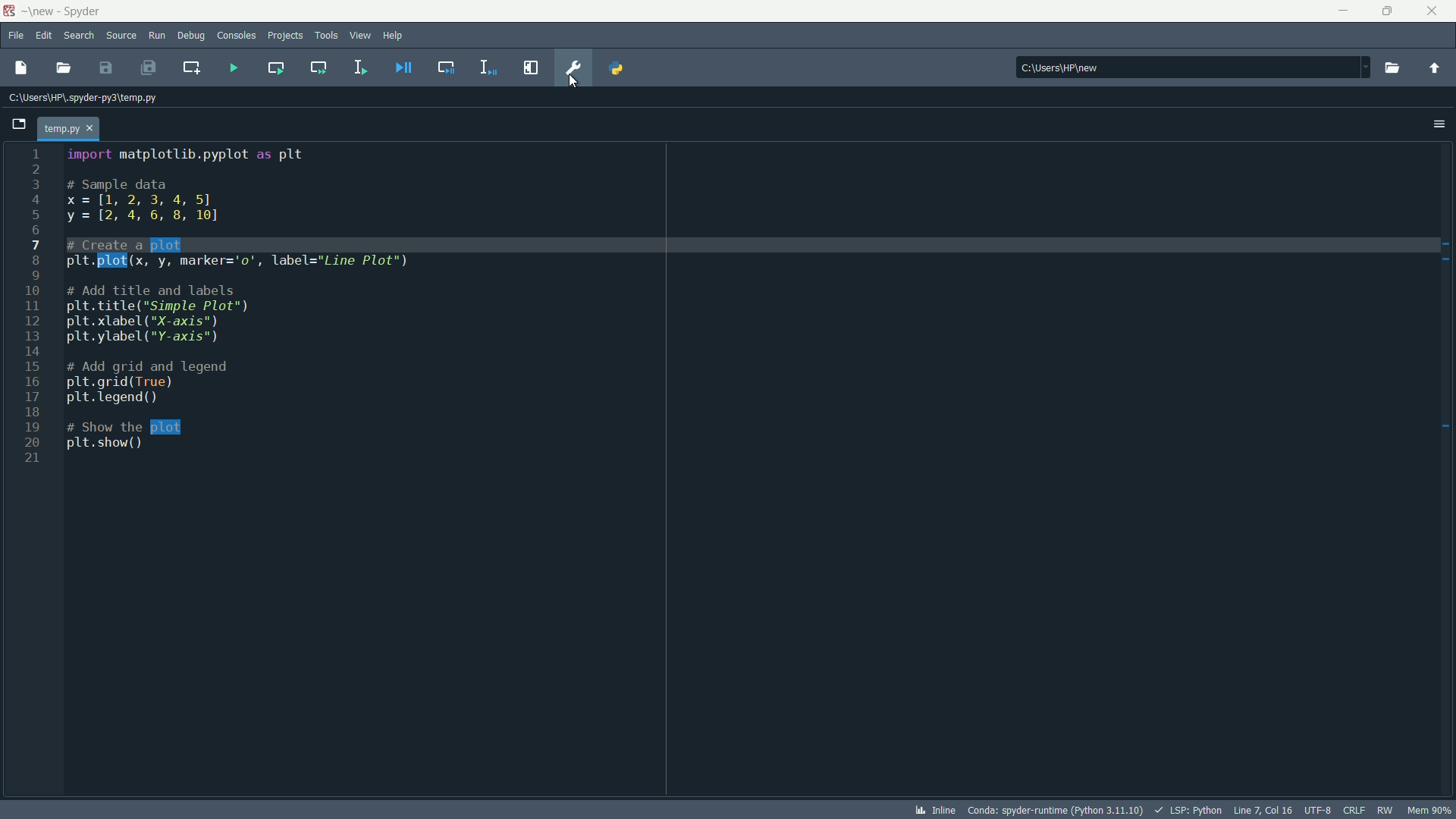 Image resolution: width=1456 pixels, height=819 pixels. Describe the element at coordinates (403, 67) in the screenshot. I see `debug file` at that location.